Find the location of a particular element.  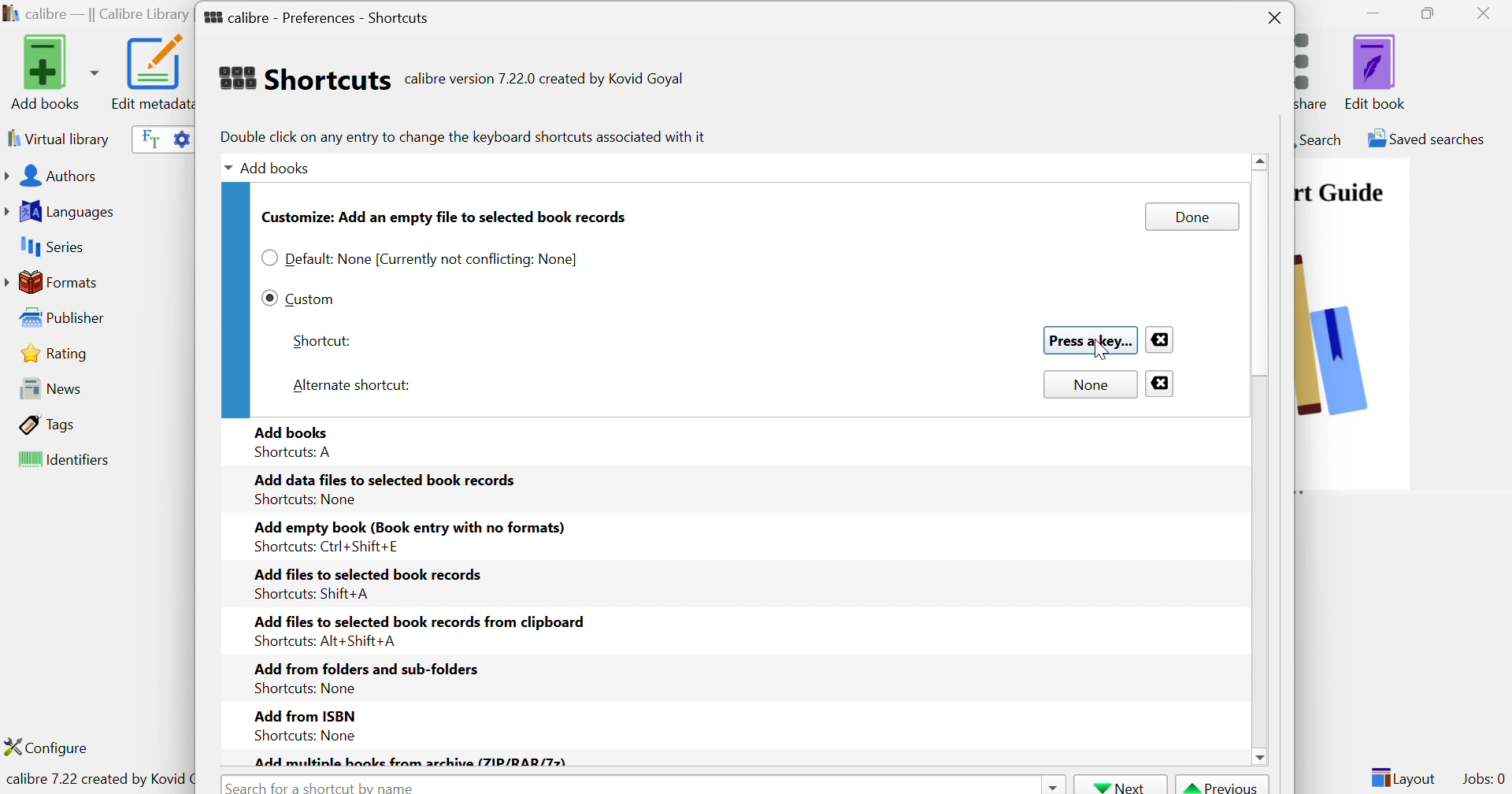

Drop Down is located at coordinates (1051, 785).